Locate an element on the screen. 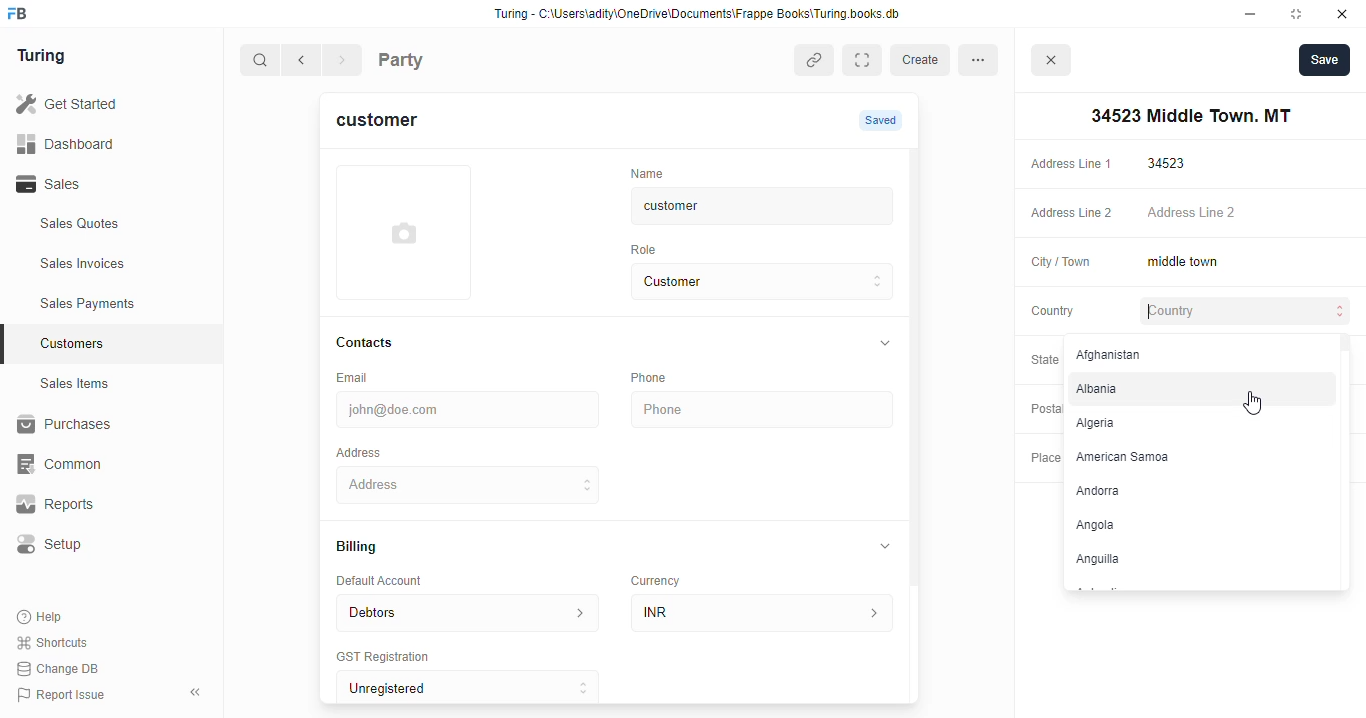 The image size is (1366, 718). maximise is located at coordinates (1300, 14).